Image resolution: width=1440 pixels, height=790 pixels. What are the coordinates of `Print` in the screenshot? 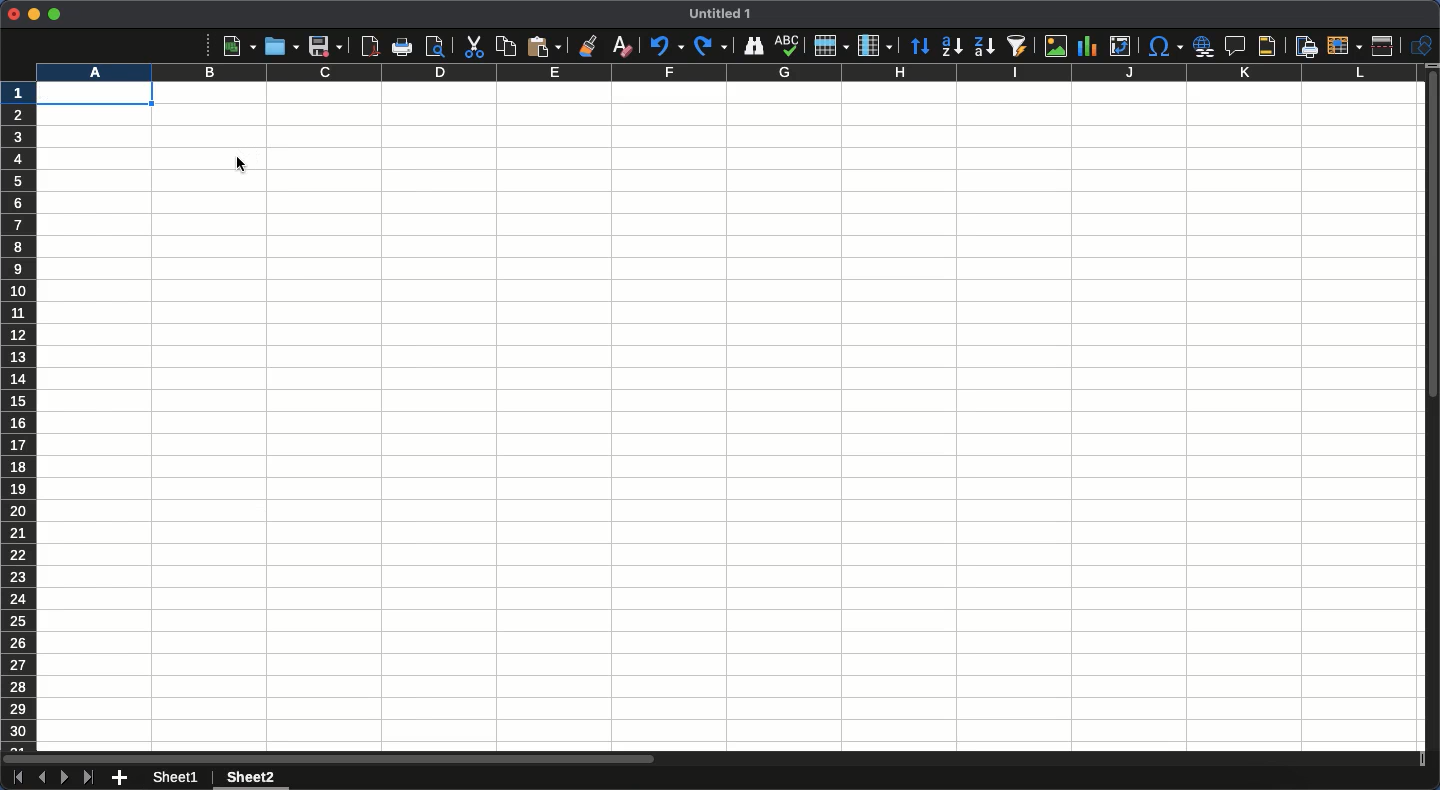 It's located at (404, 47).